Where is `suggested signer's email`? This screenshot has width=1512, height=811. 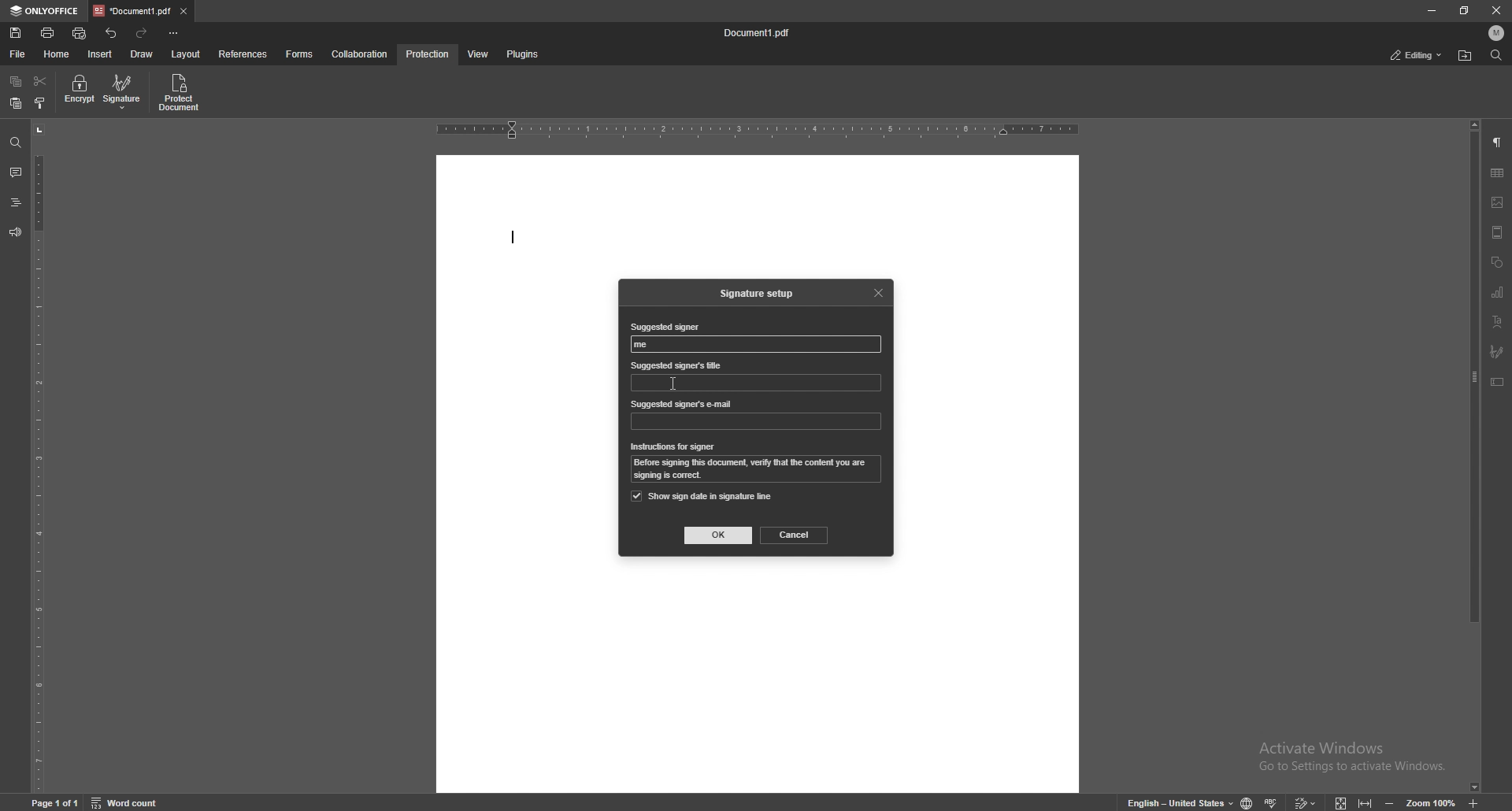
suggested signer's email is located at coordinates (683, 405).